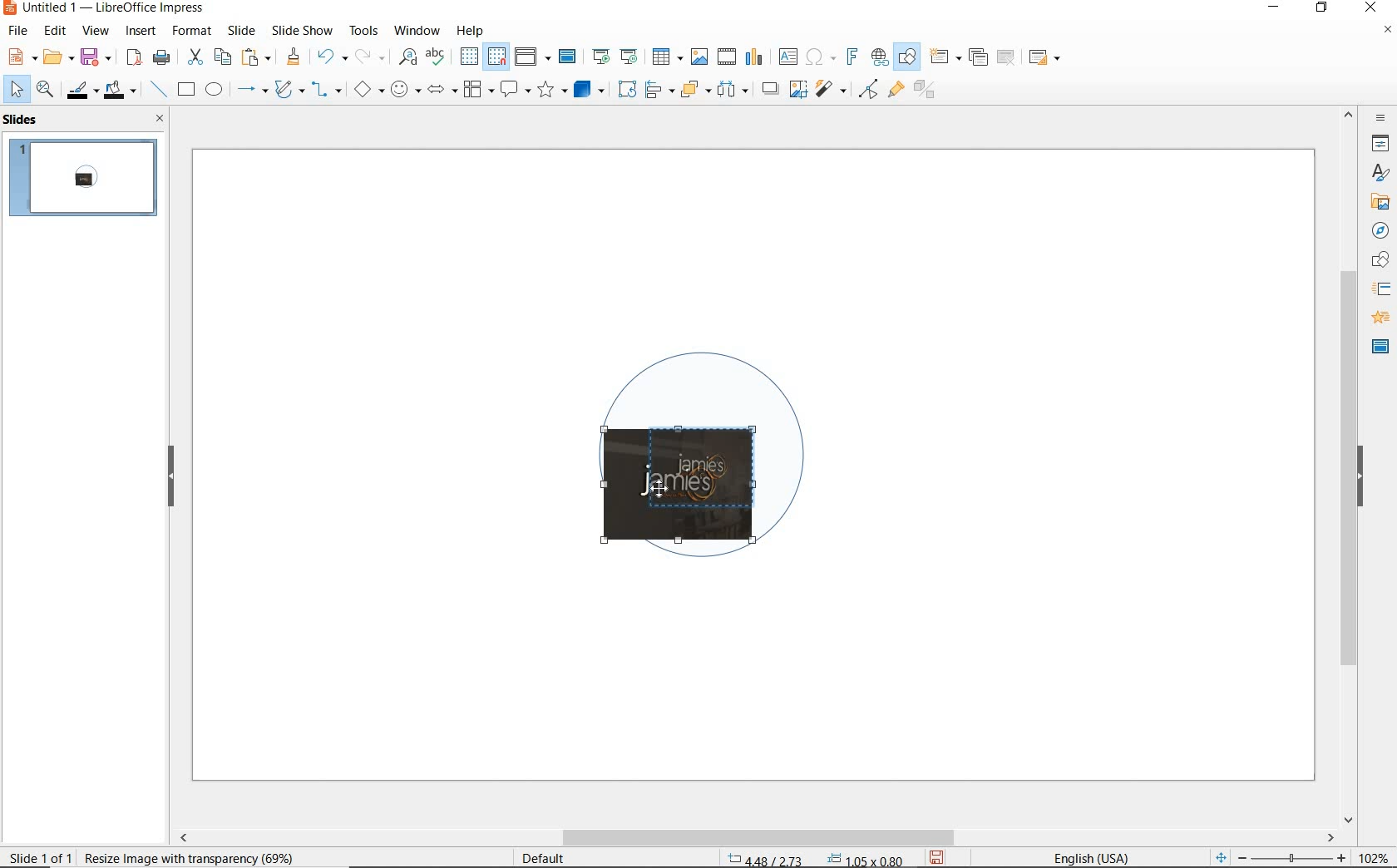  Describe the element at coordinates (369, 57) in the screenshot. I see `redo` at that location.